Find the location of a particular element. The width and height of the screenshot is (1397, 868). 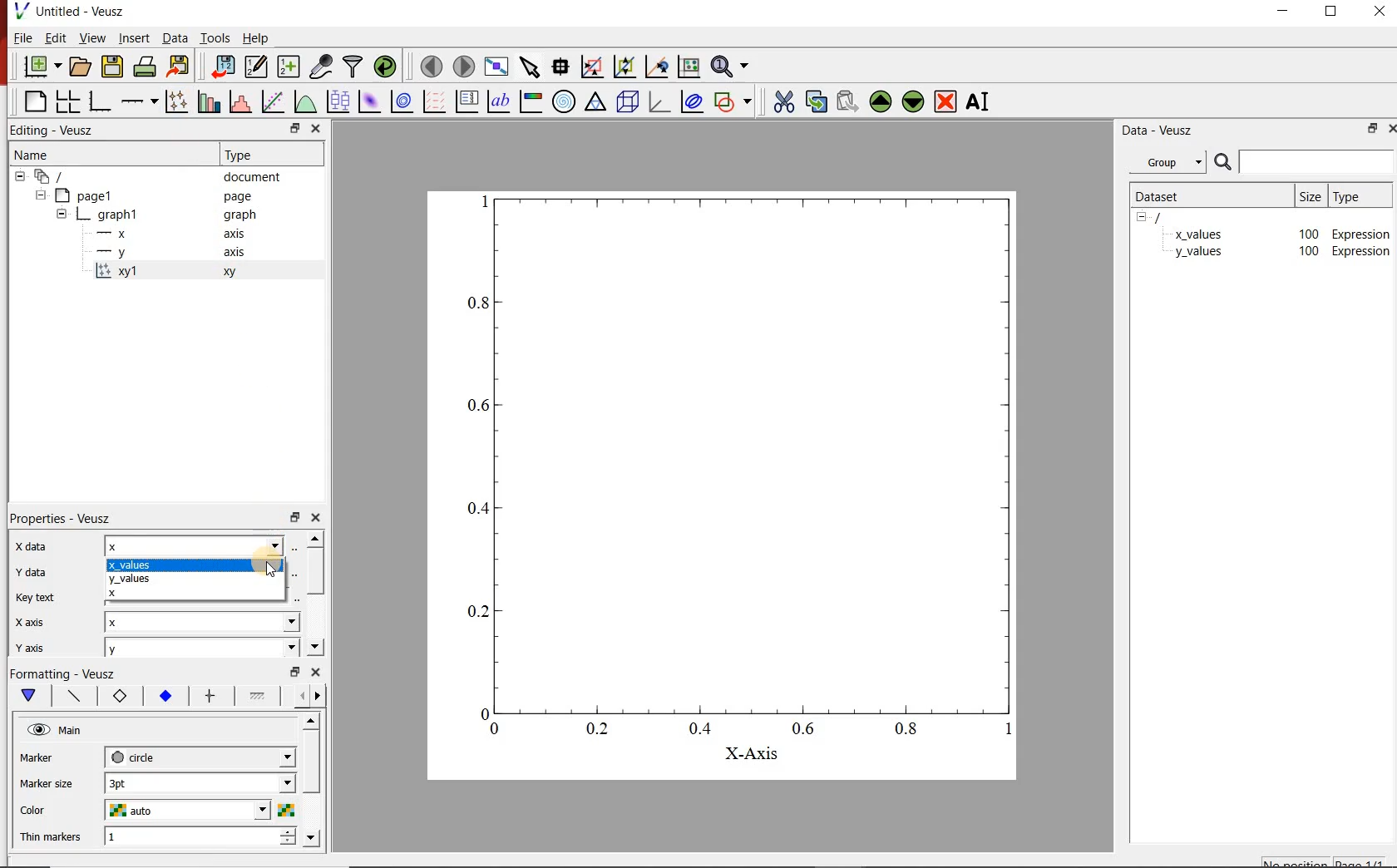

search is located at coordinates (1221, 162).